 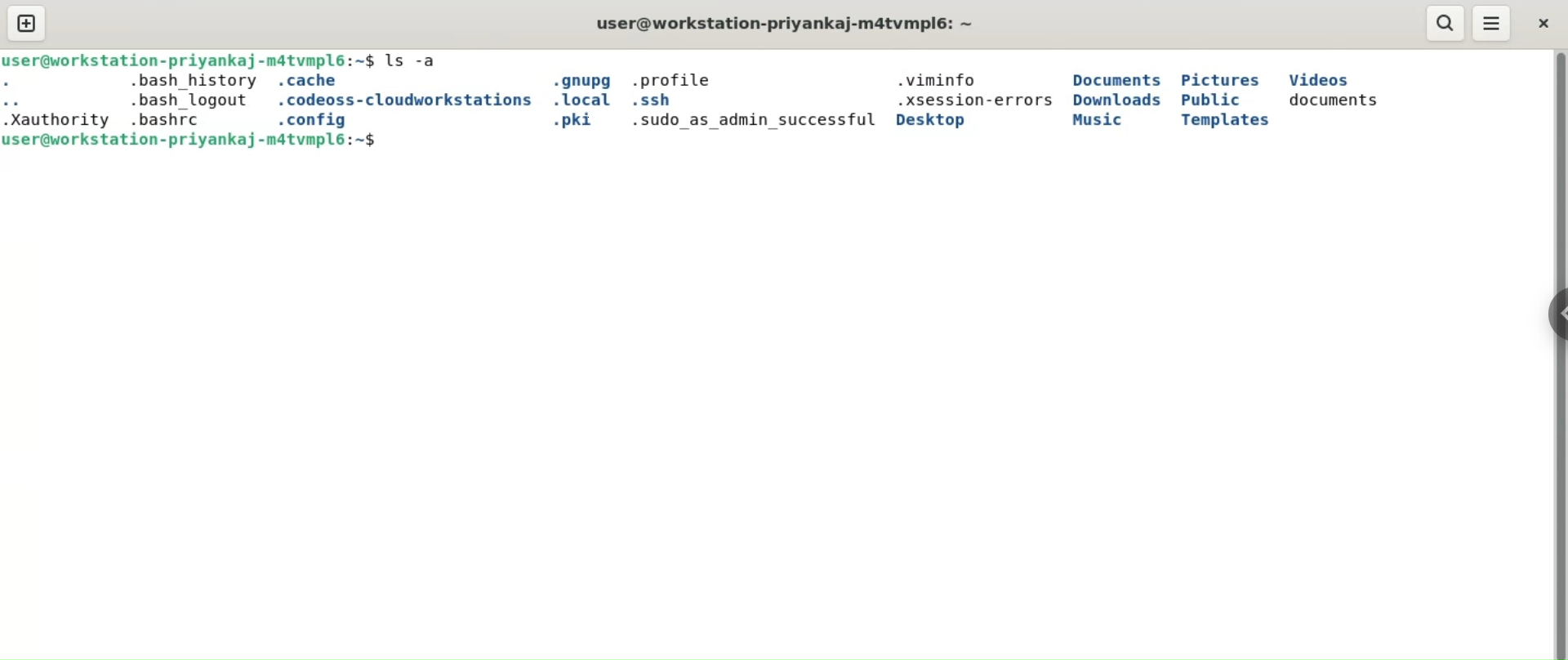 I want to click on .bashrc, so click(x=166, y=118).